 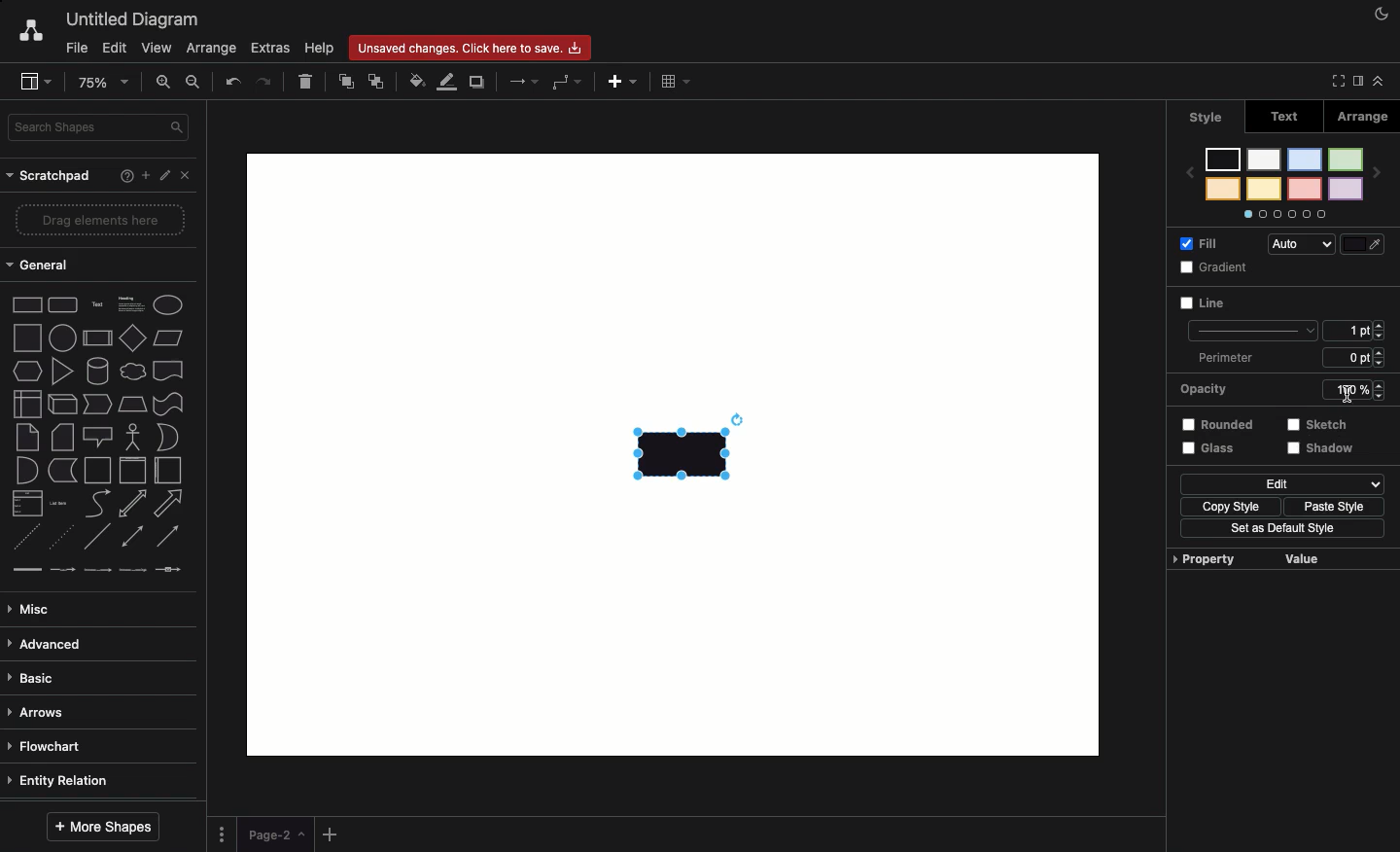 What do you see at coordinates (1188, 171) in the screenshot?
I see `previous` at bounding box center [1188, 171].